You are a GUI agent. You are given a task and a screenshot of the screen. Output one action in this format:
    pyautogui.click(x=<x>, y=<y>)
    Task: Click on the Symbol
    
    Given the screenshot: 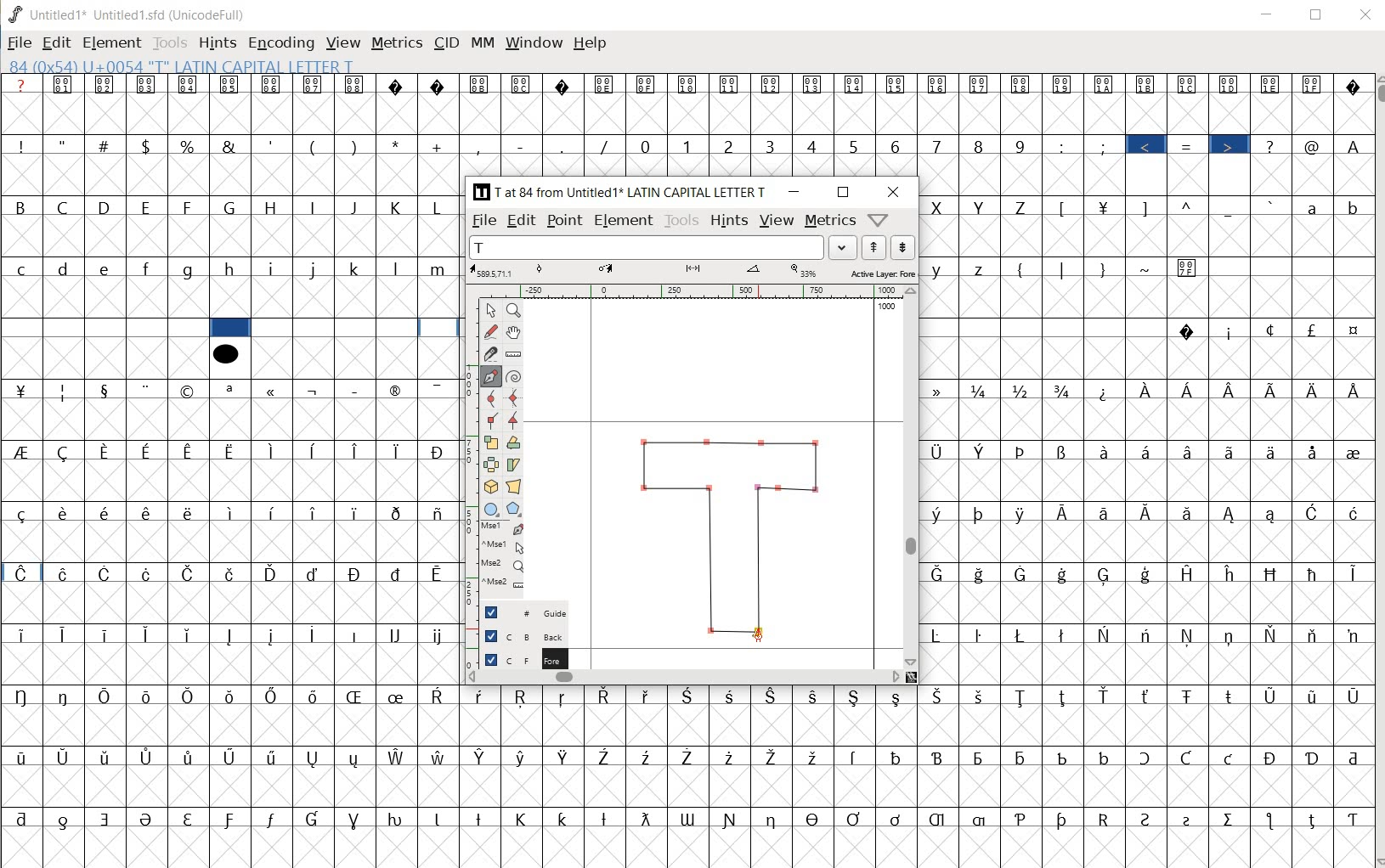 What is the action you would take?
    pyautogui.click(x=688, y=84)
    